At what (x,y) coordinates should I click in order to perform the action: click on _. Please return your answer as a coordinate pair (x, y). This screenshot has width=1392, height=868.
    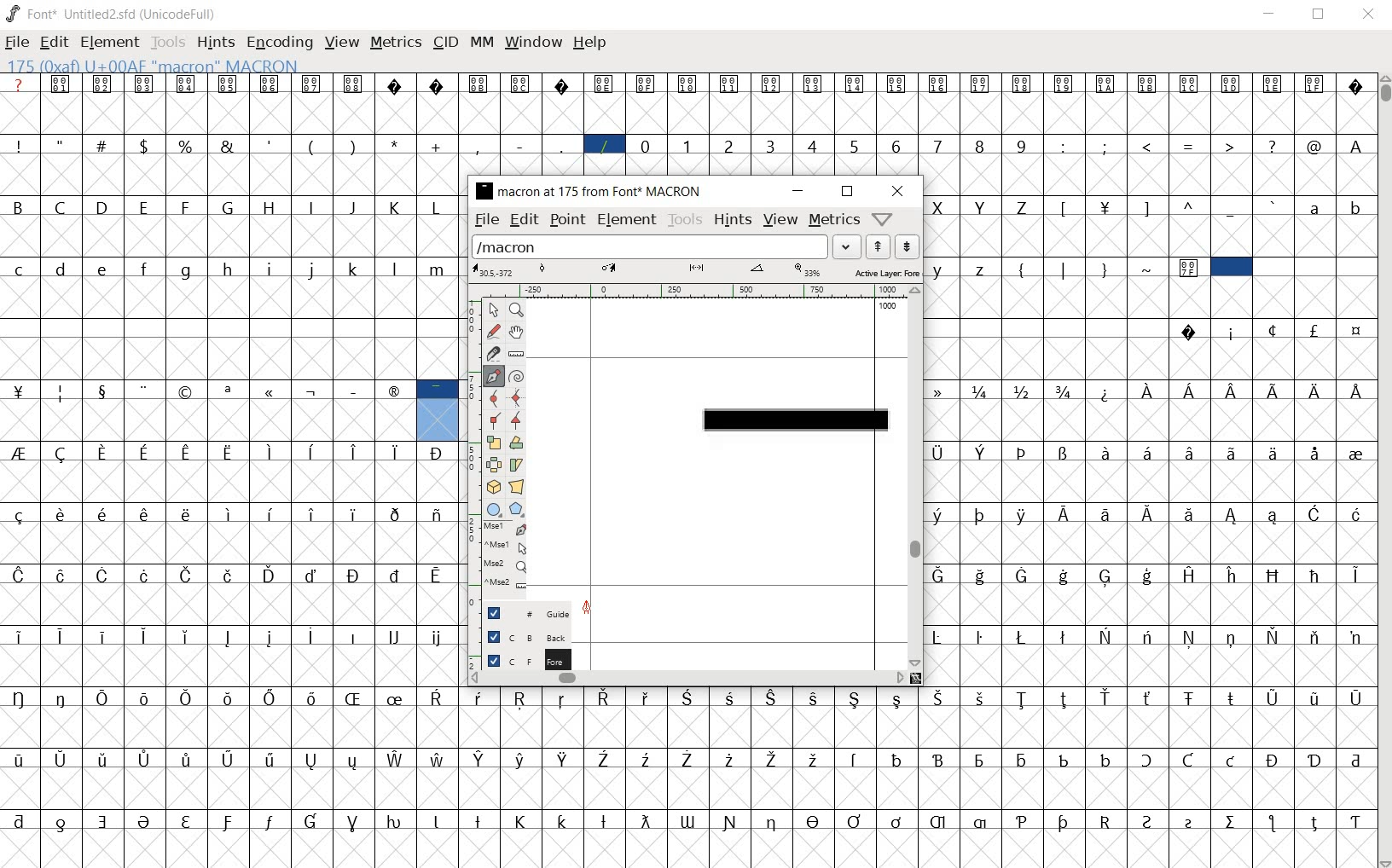
    Looking at the image, I should click on (564, 146).